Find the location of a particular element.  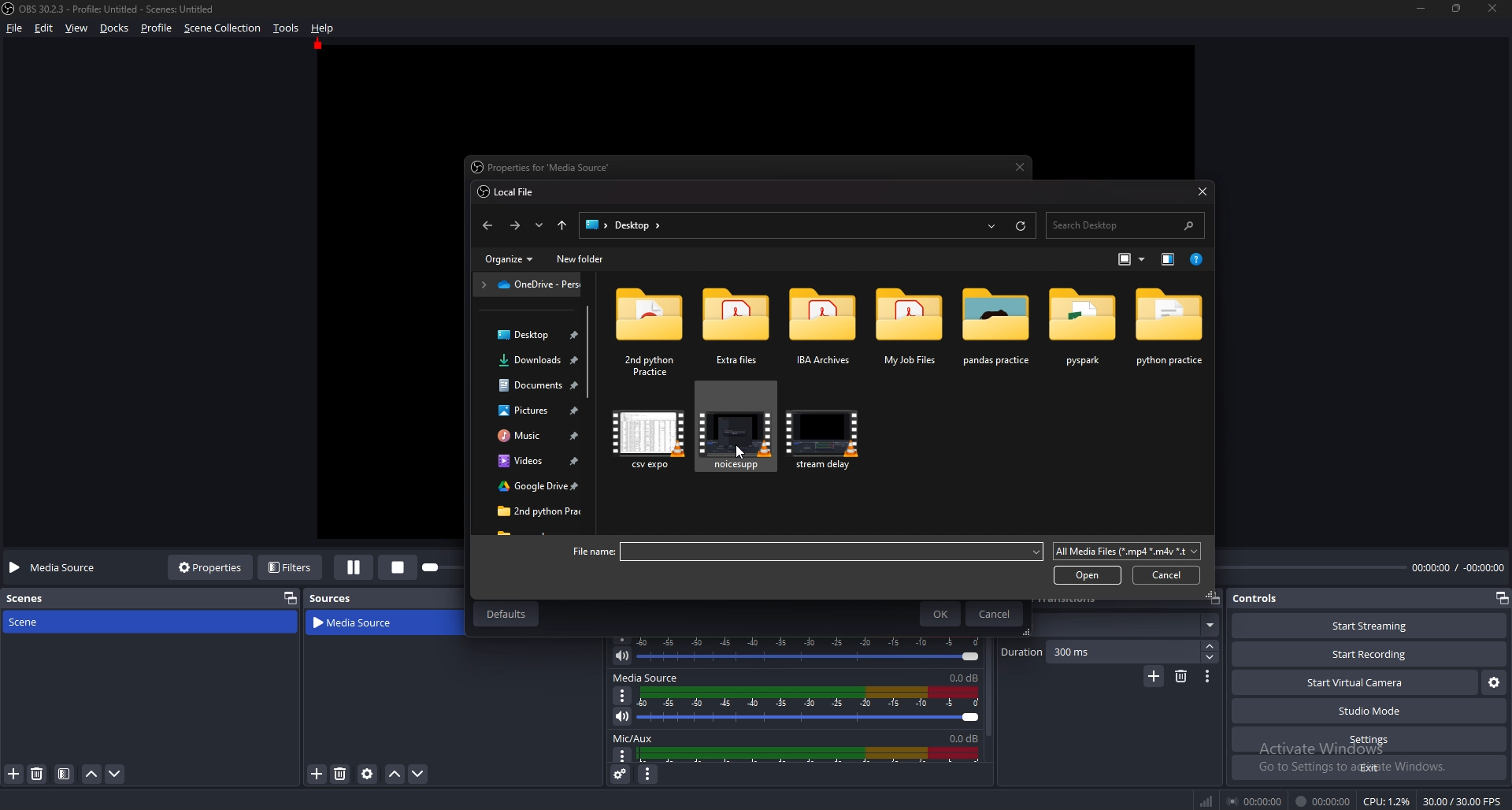

Folder is located at coordinates (529, 335).